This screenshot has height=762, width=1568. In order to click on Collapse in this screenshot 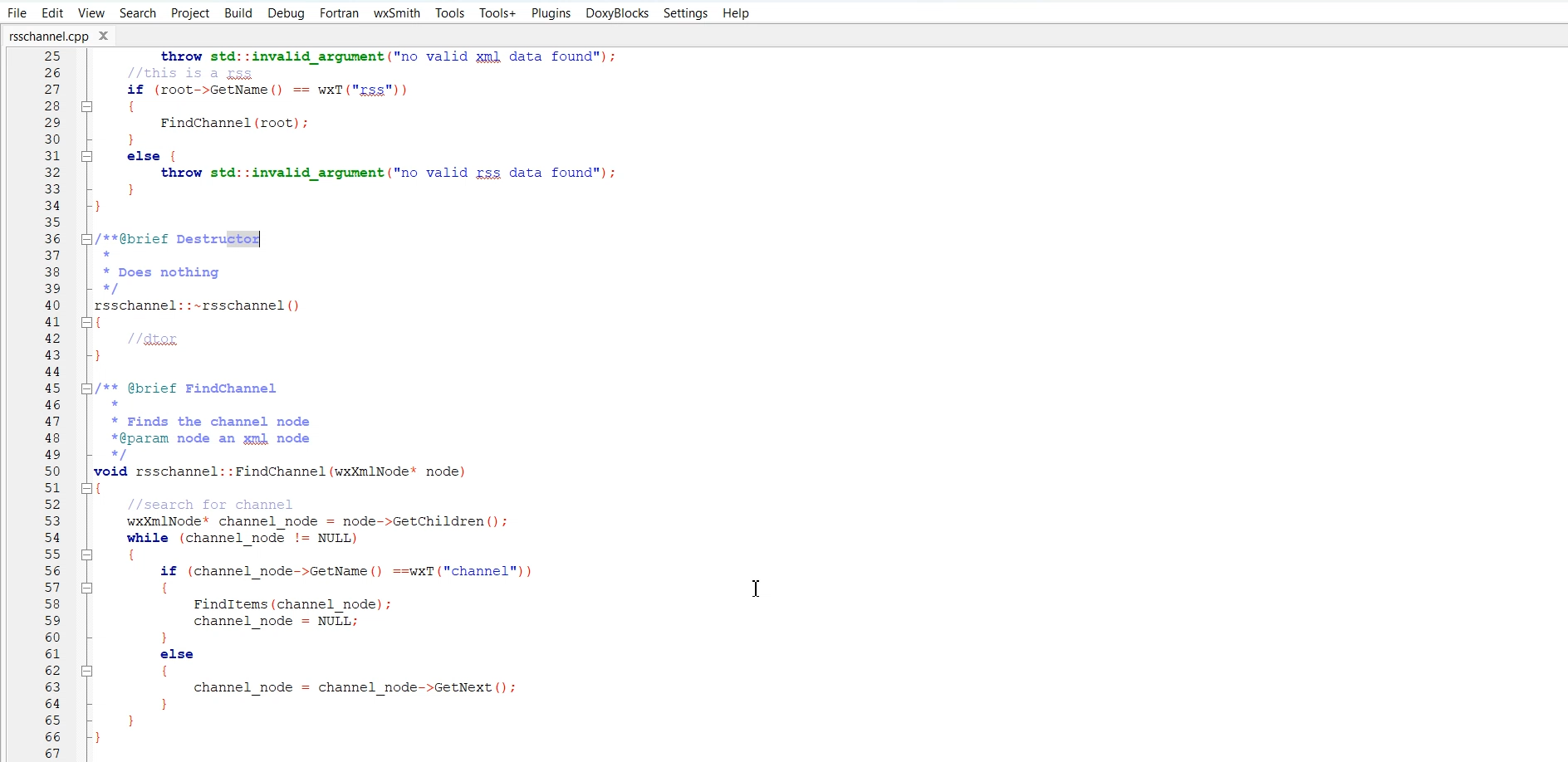, I will do `click(91, 588)`.